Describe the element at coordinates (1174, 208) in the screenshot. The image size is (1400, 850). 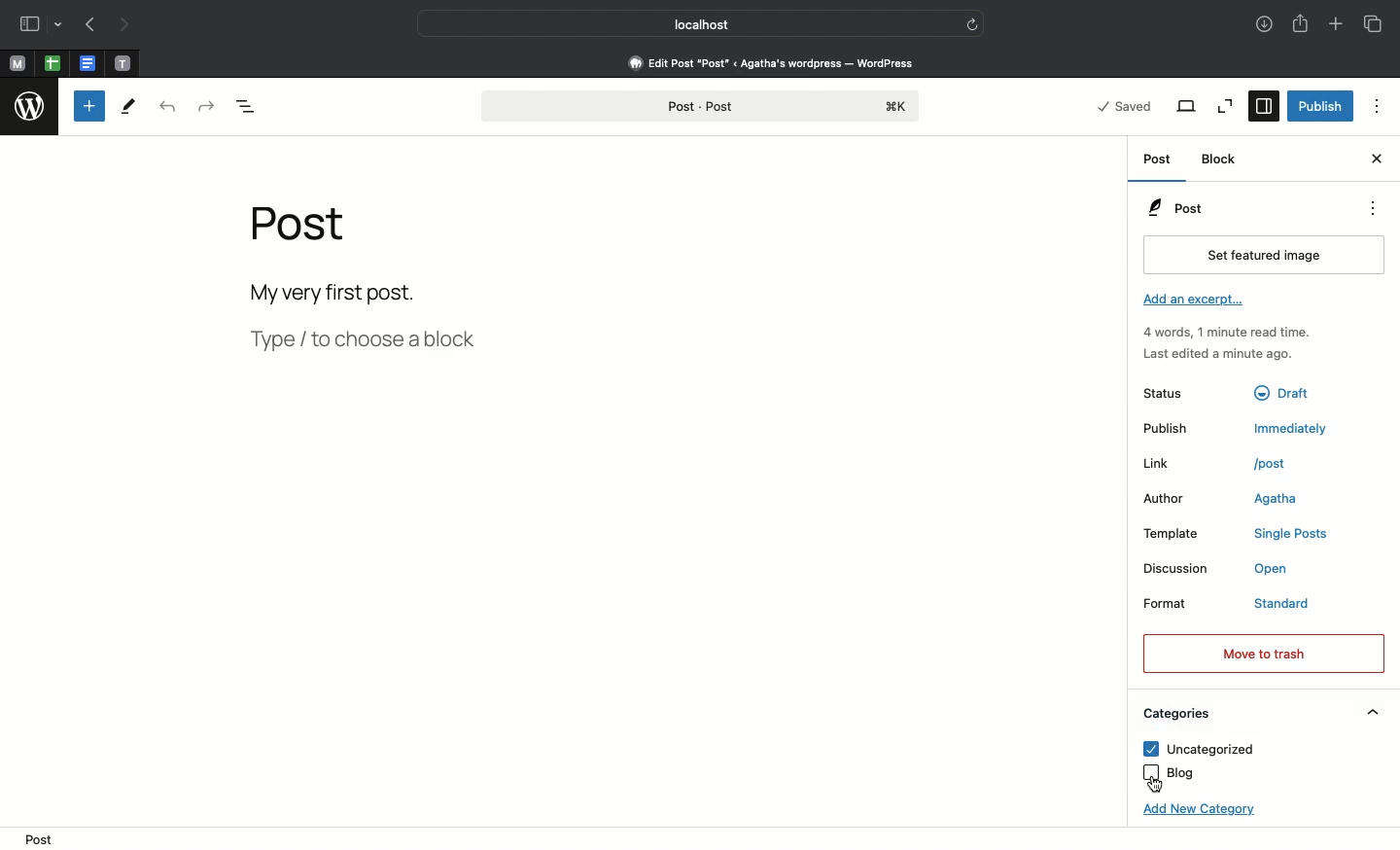
I see `Post` at that location.